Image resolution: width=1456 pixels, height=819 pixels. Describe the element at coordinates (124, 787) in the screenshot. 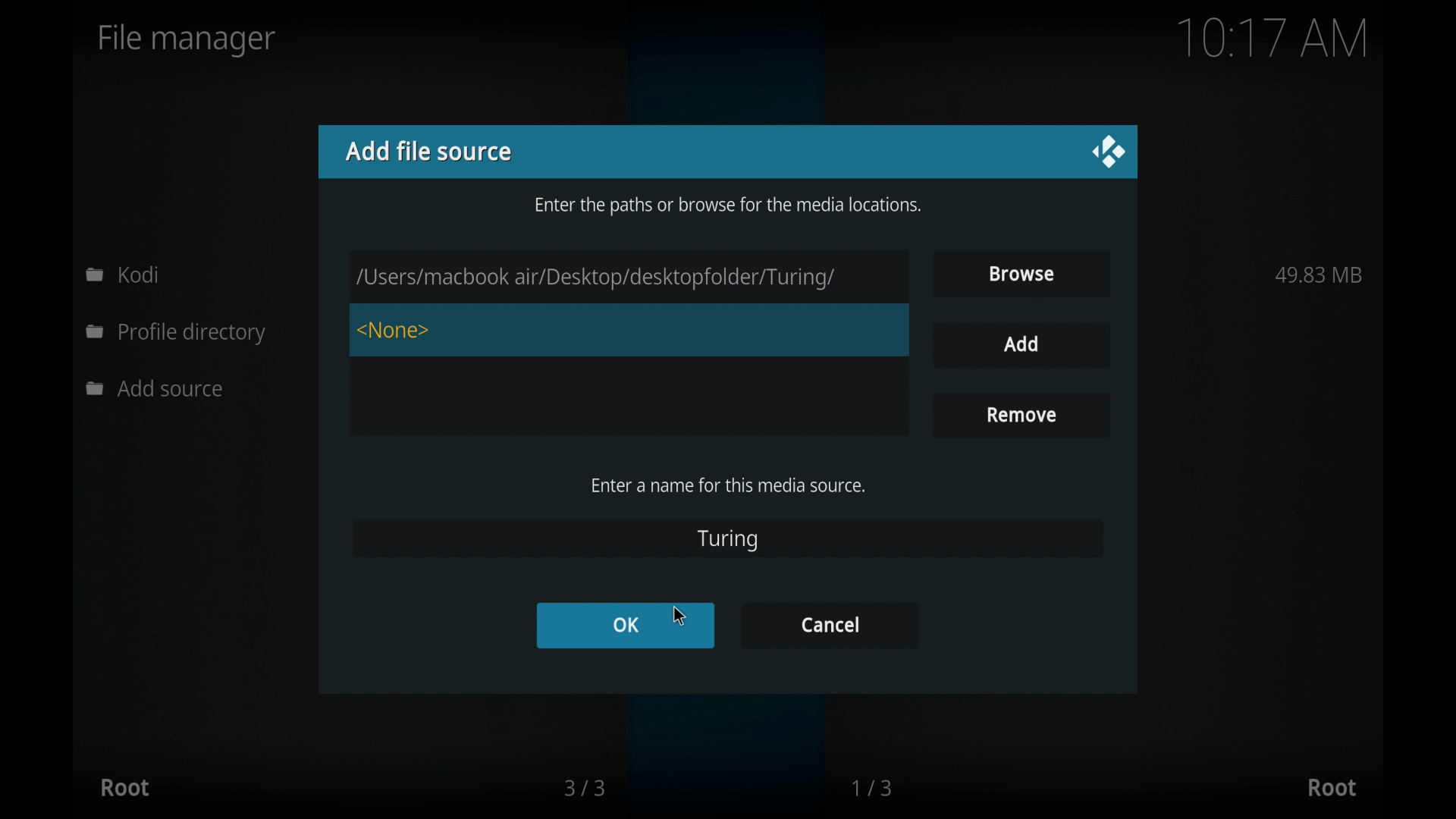

I see `root` at that location.